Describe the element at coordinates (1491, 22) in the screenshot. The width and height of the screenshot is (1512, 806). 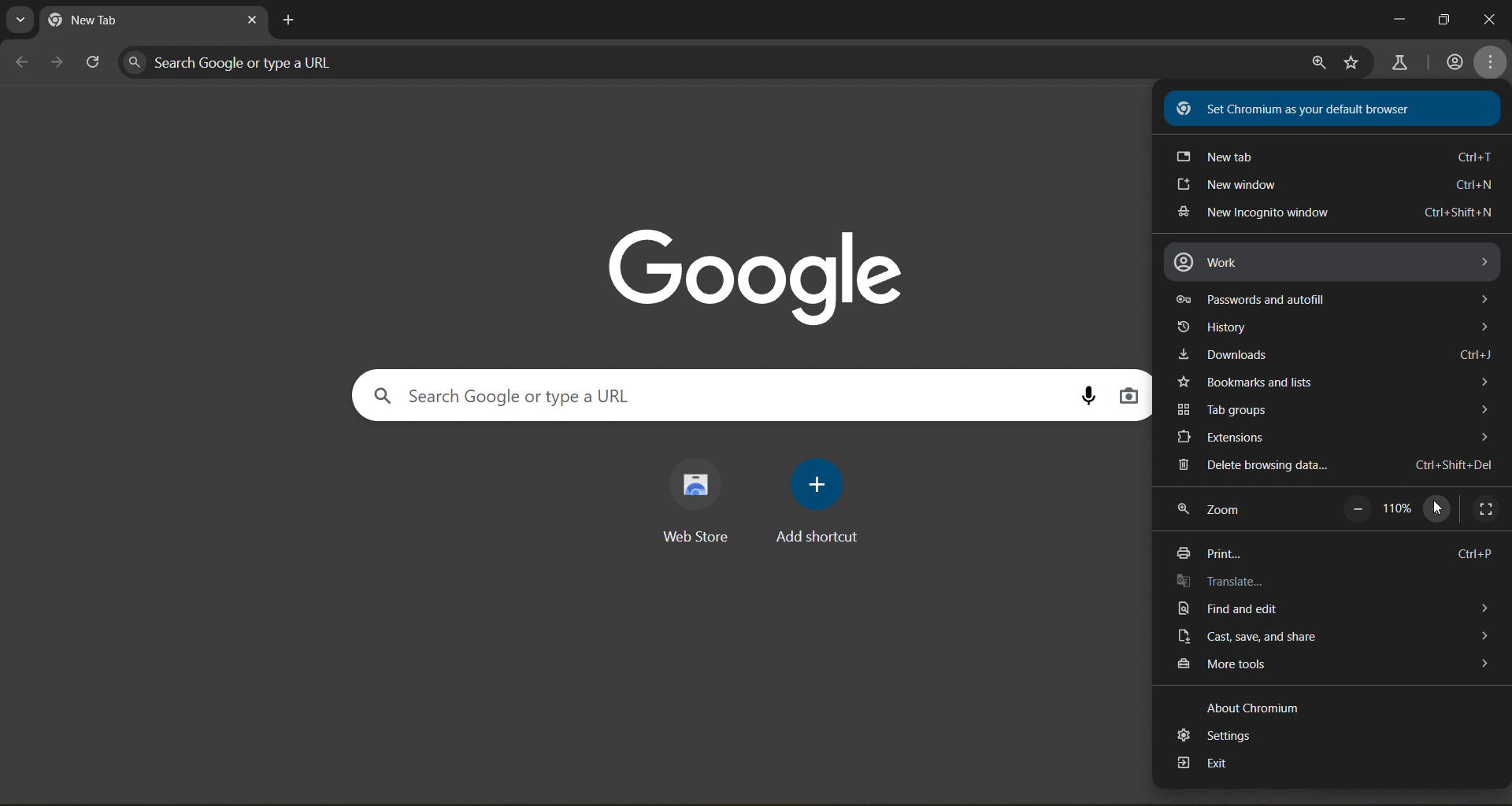
I see `close` at that location.